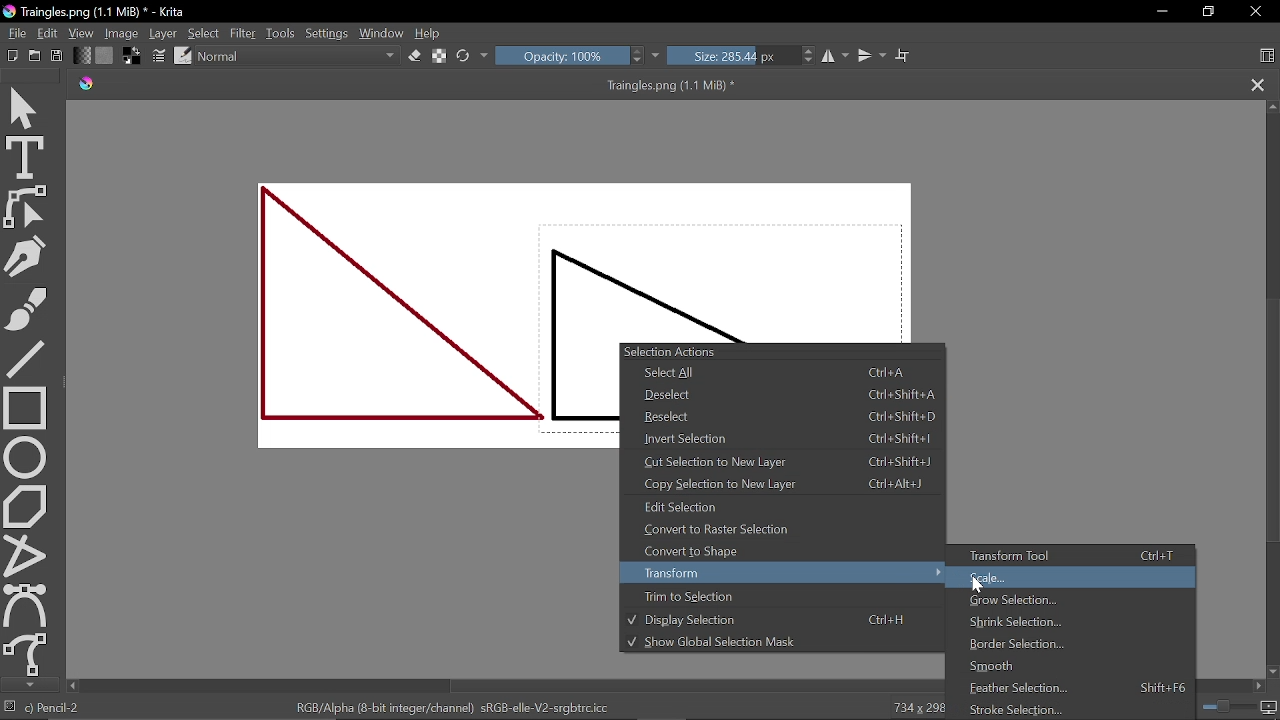 The width and height of the screenshot is (1280, 720). I want to click on File, so click(15, 32).